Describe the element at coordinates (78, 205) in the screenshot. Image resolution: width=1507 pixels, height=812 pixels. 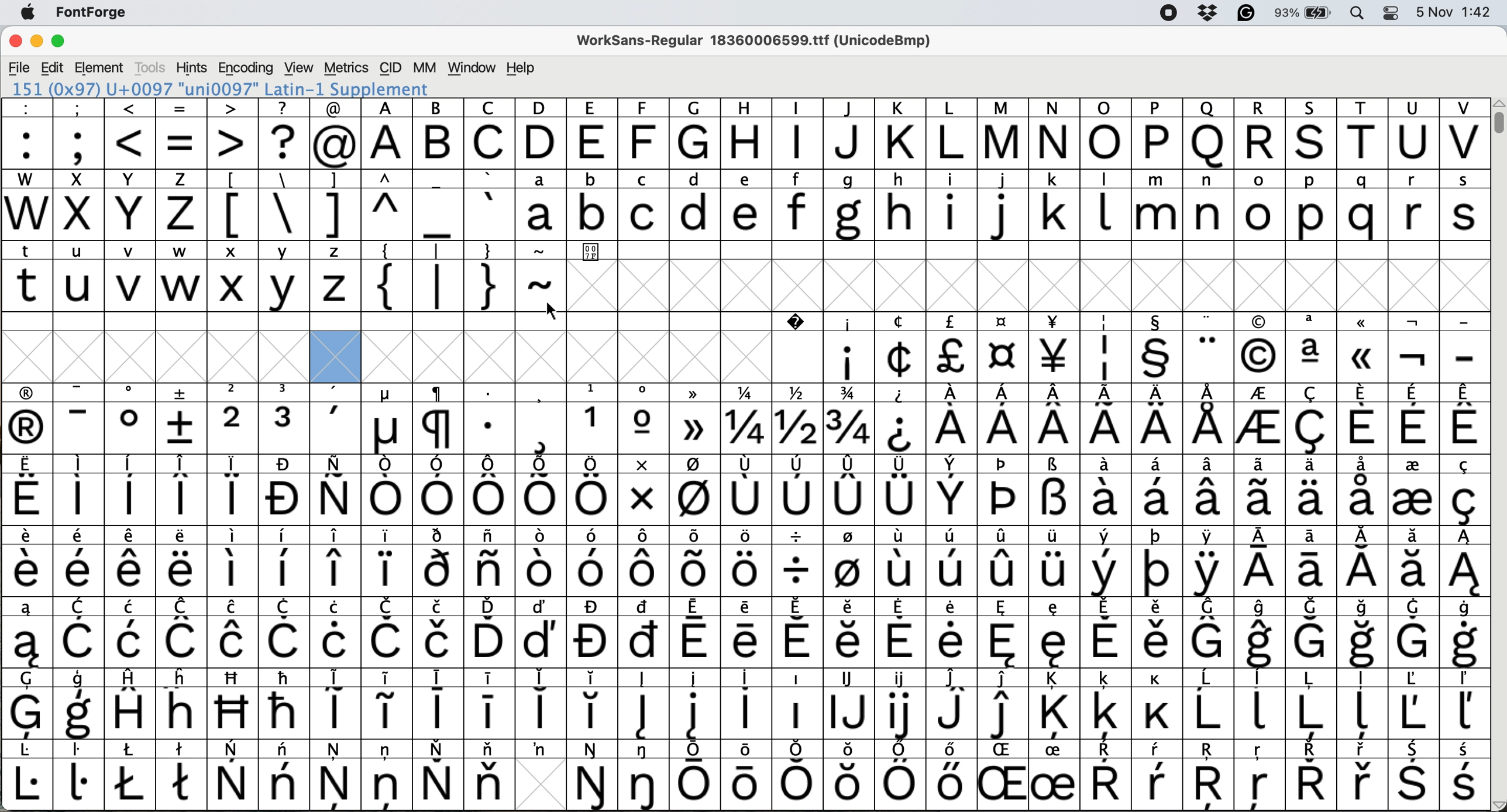
I see `x` at that location.